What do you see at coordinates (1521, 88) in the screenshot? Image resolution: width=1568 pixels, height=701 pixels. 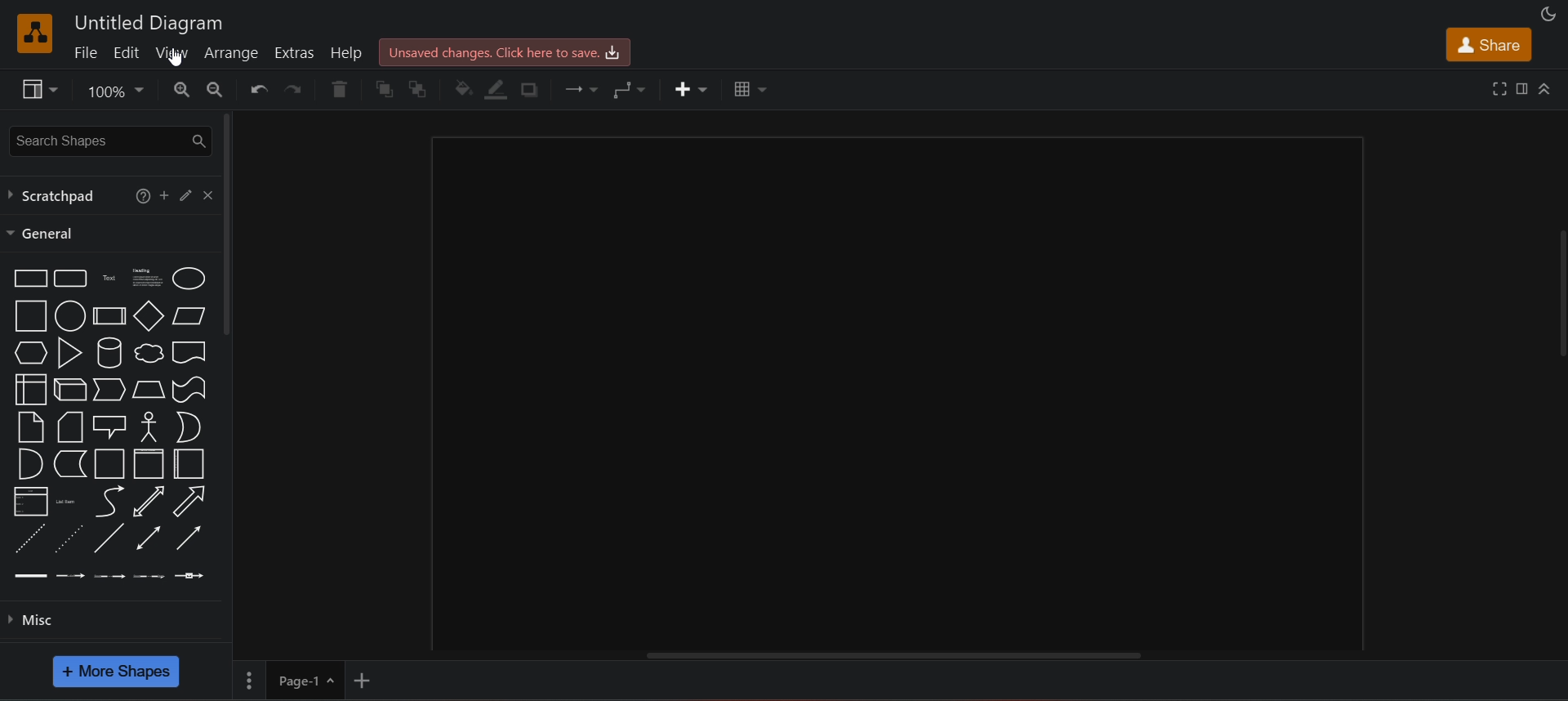 I see `format` at bounding box center [1521, 88].